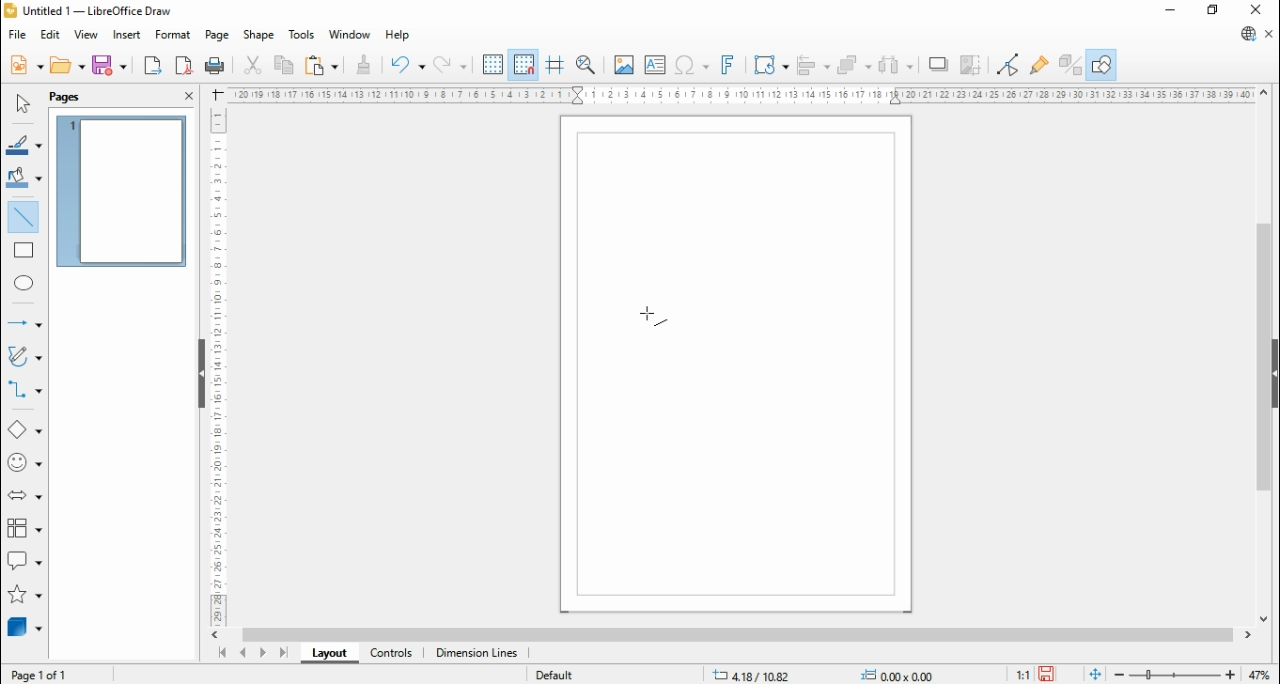 Image resolution: width=1280 pixels, height=684 pixels. I want to click on help, so click(398, 35).